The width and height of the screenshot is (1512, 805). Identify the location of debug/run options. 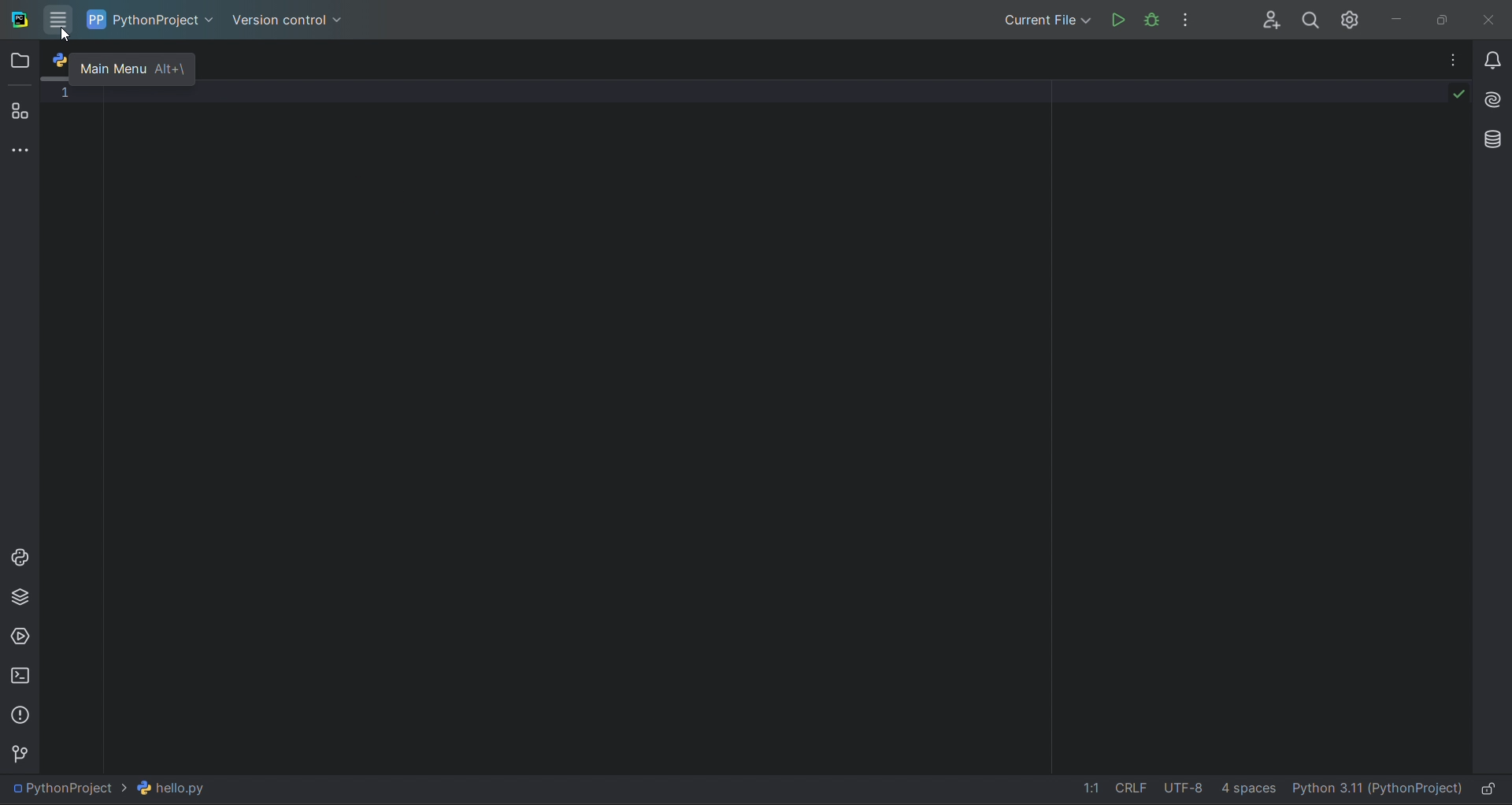
(1049, 18).